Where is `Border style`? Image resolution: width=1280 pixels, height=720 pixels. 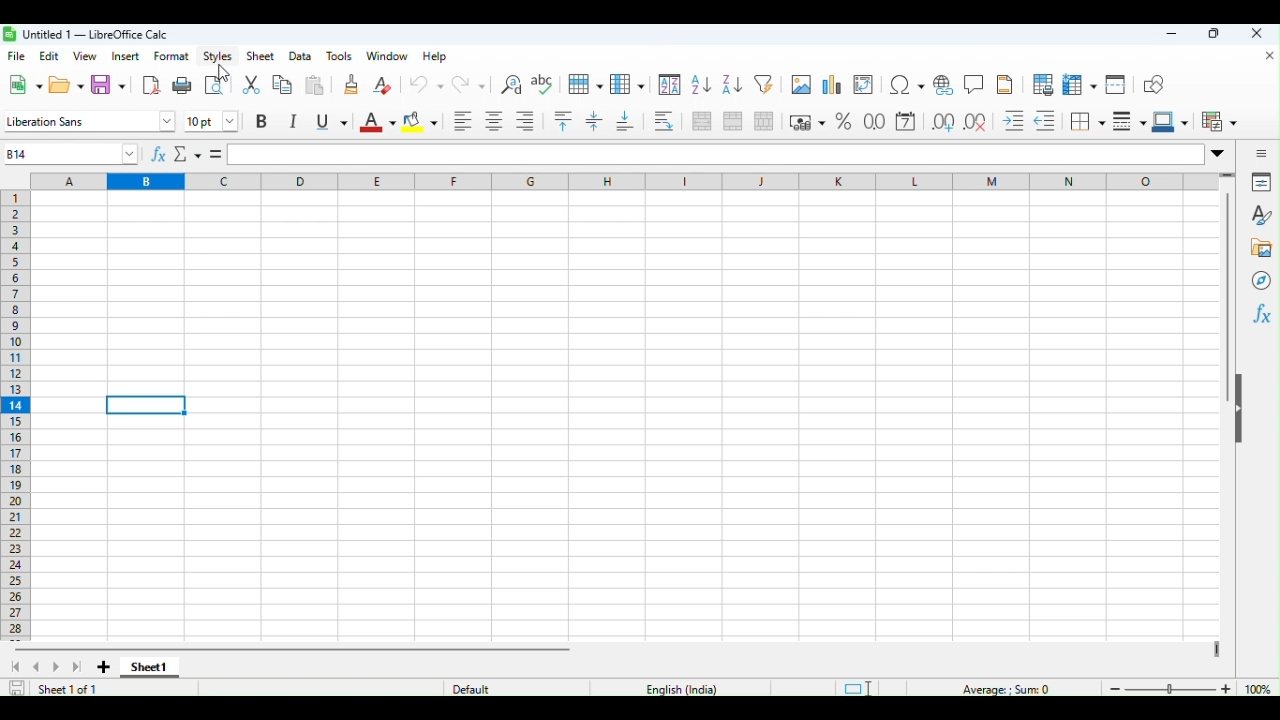
Border style is located at coordinates (1130, 123).